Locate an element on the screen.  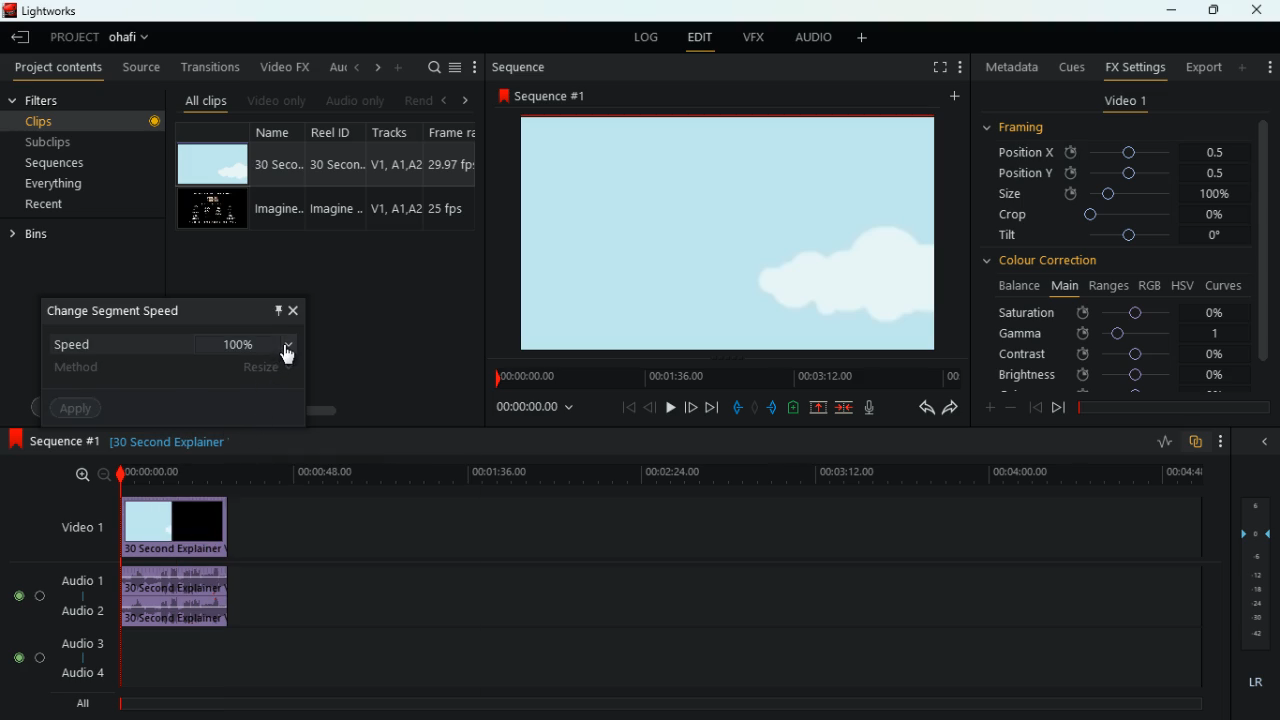
more is located at coordinates (866, 39).